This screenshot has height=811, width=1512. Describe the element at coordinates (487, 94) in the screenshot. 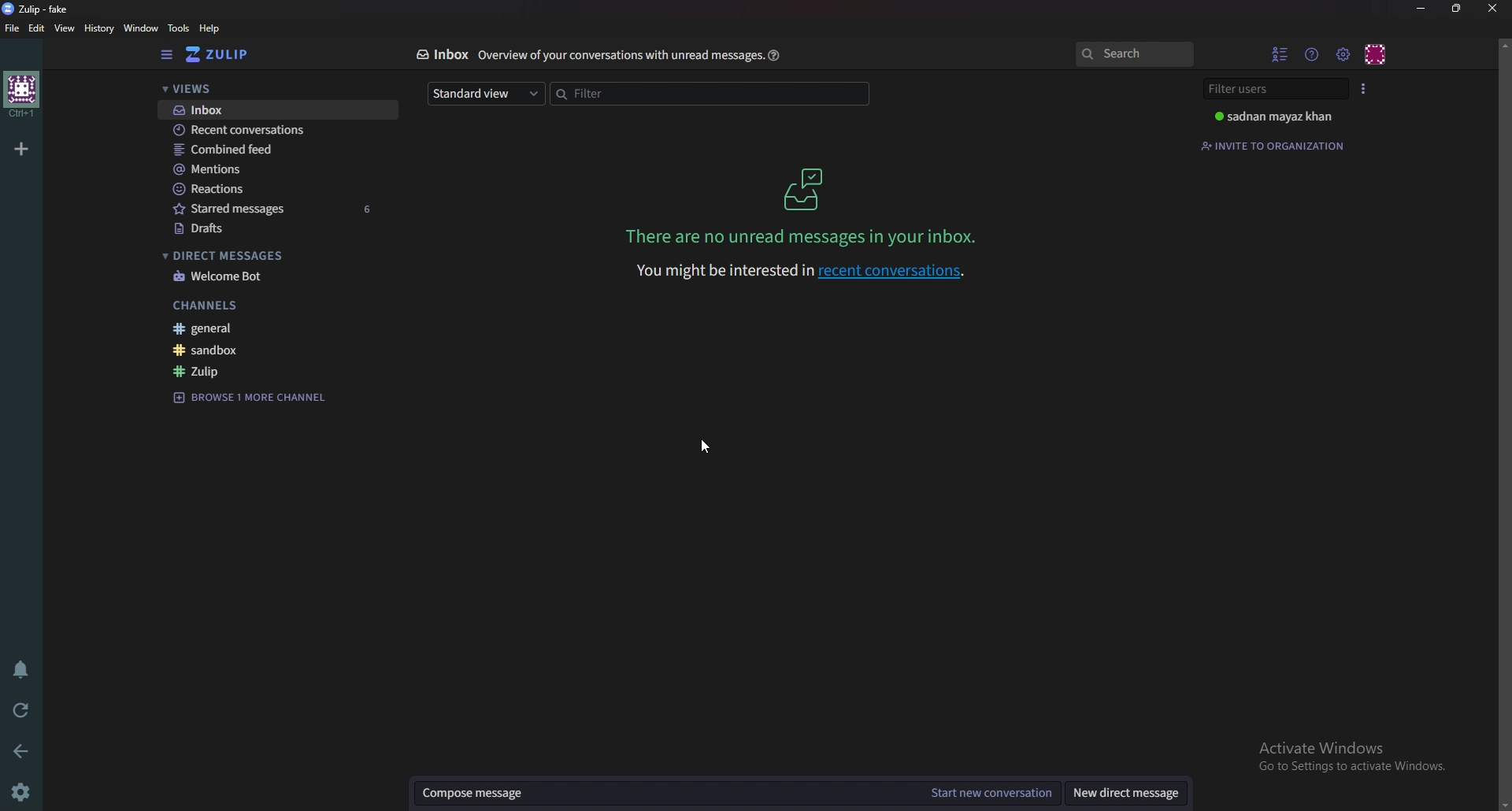

I see `Standard view` at that location.